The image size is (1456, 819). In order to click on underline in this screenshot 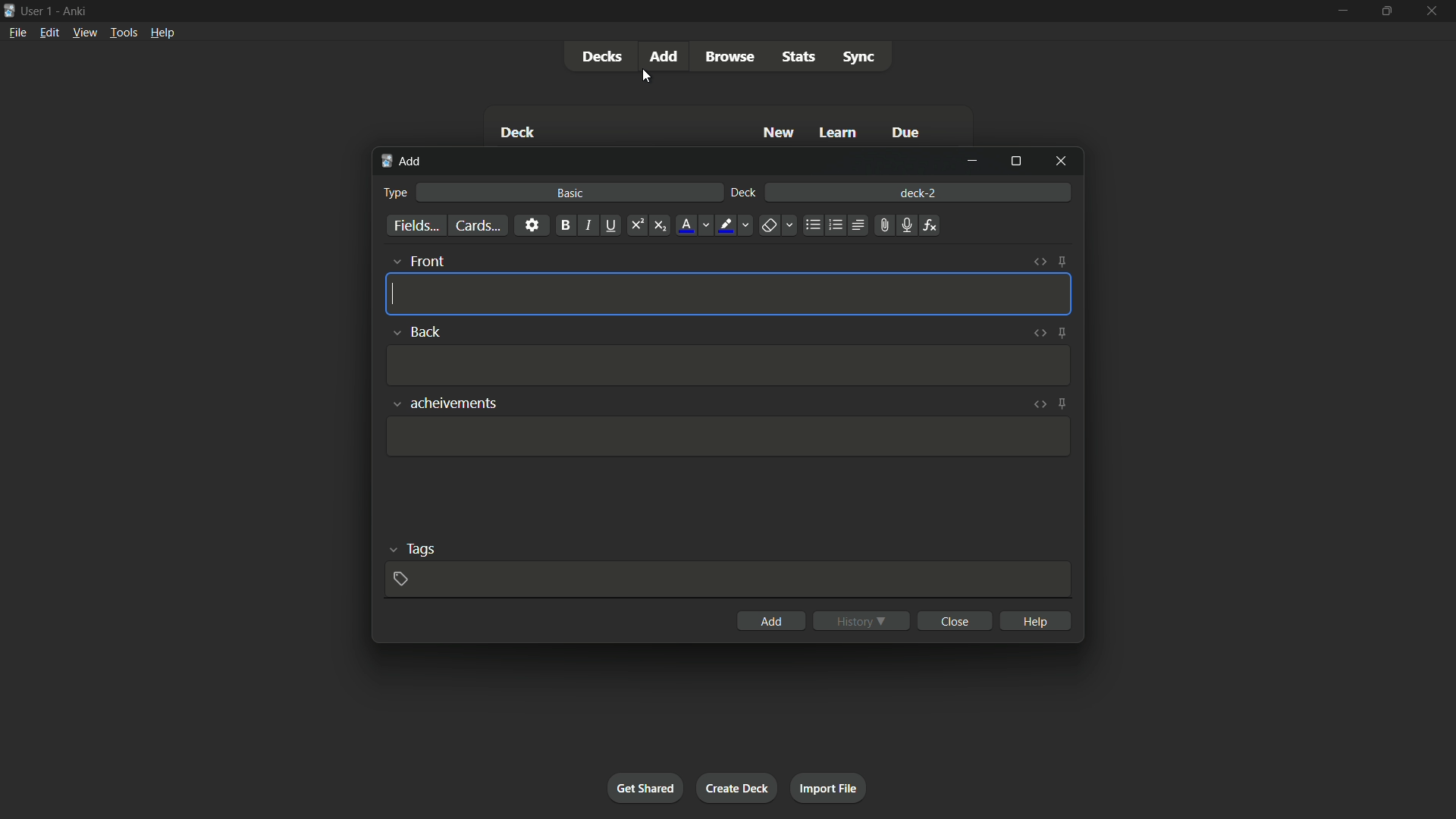, I will do `click(611, 225)`.